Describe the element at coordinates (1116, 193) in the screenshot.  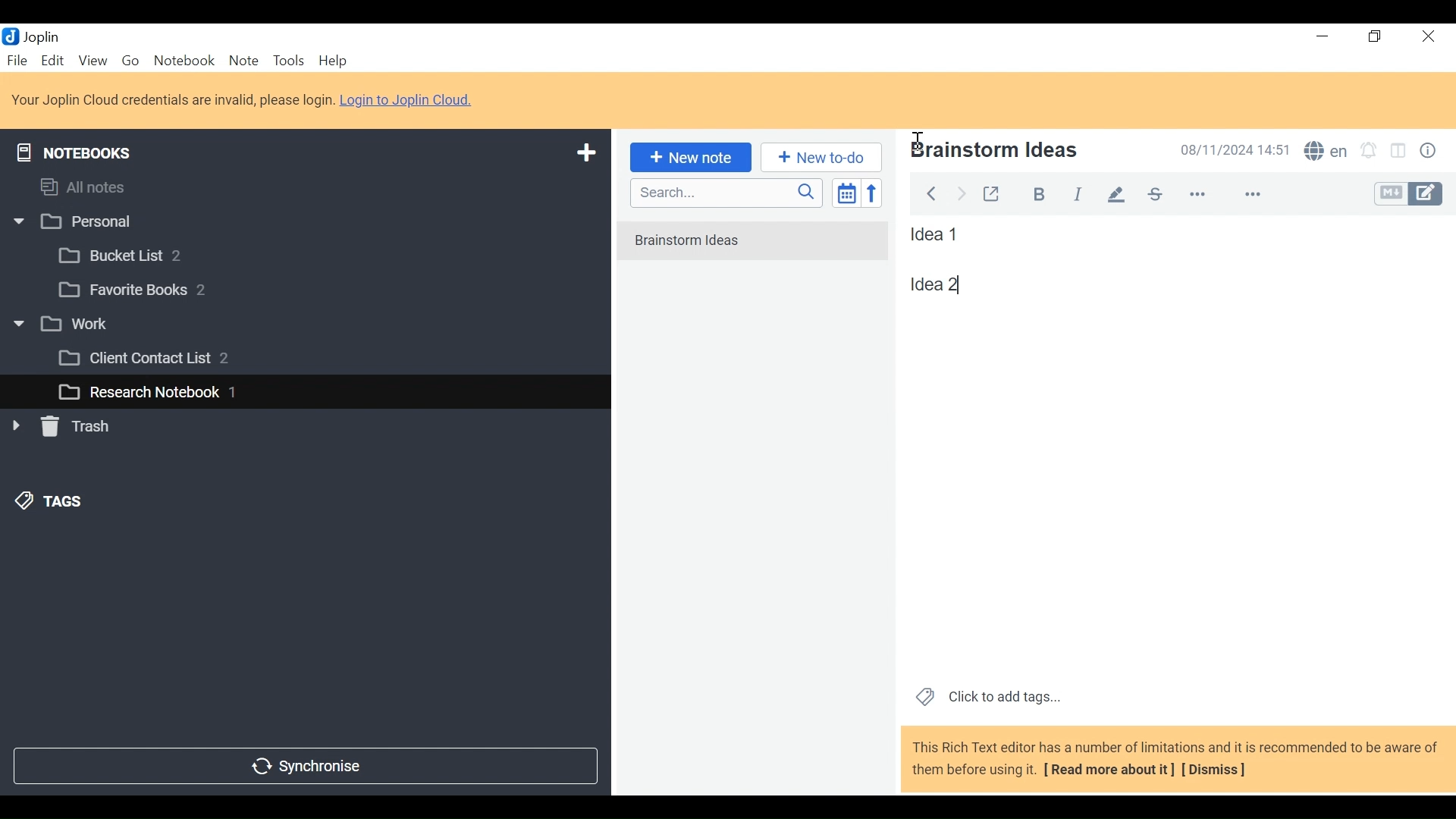
I see `pen` at that location.